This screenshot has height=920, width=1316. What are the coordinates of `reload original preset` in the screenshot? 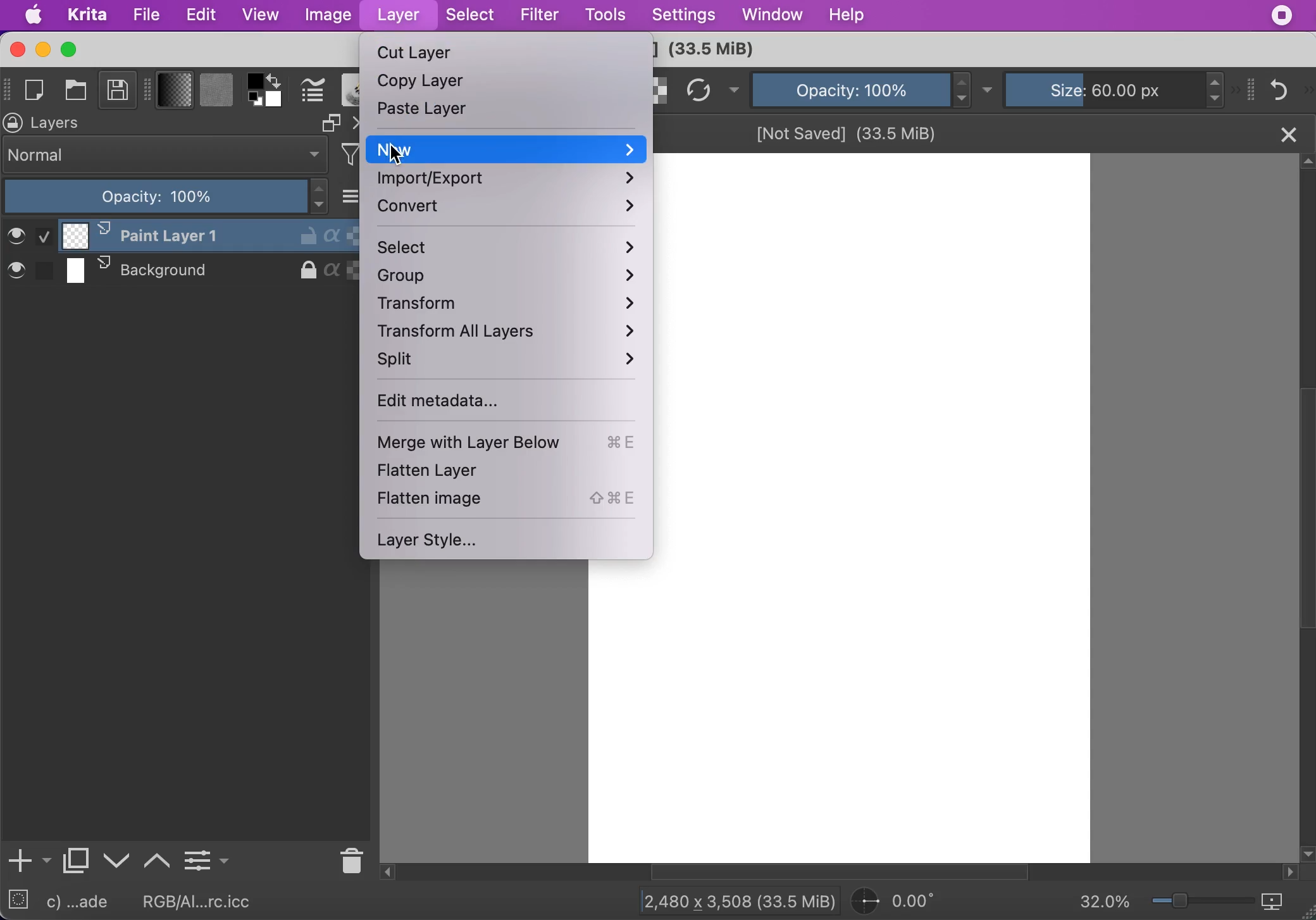 It's located at (699, 90).